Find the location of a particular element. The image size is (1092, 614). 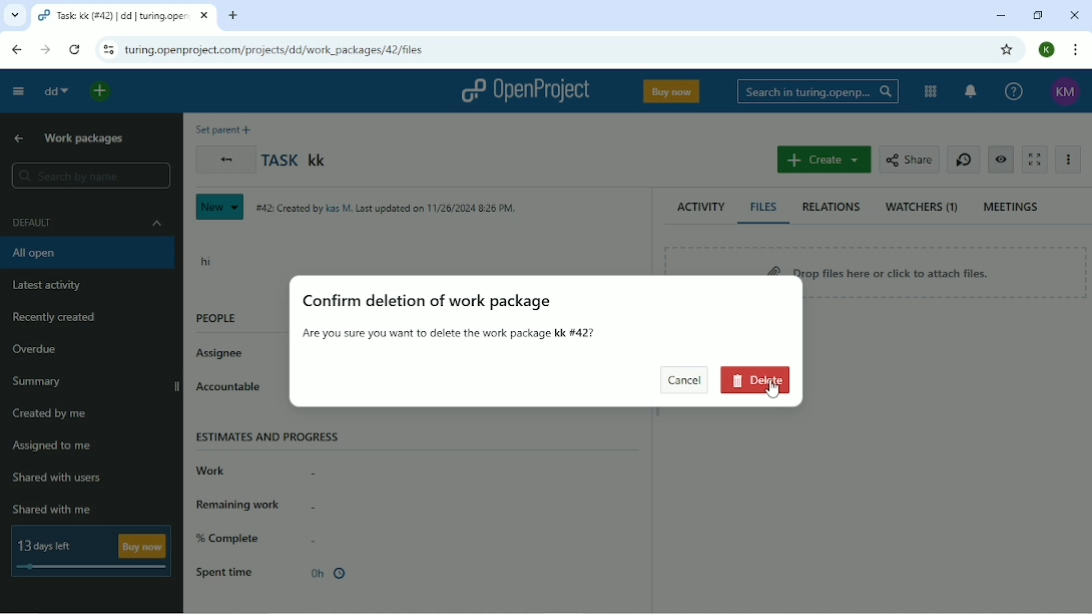

Overdue is located at coordinates (35, 350).